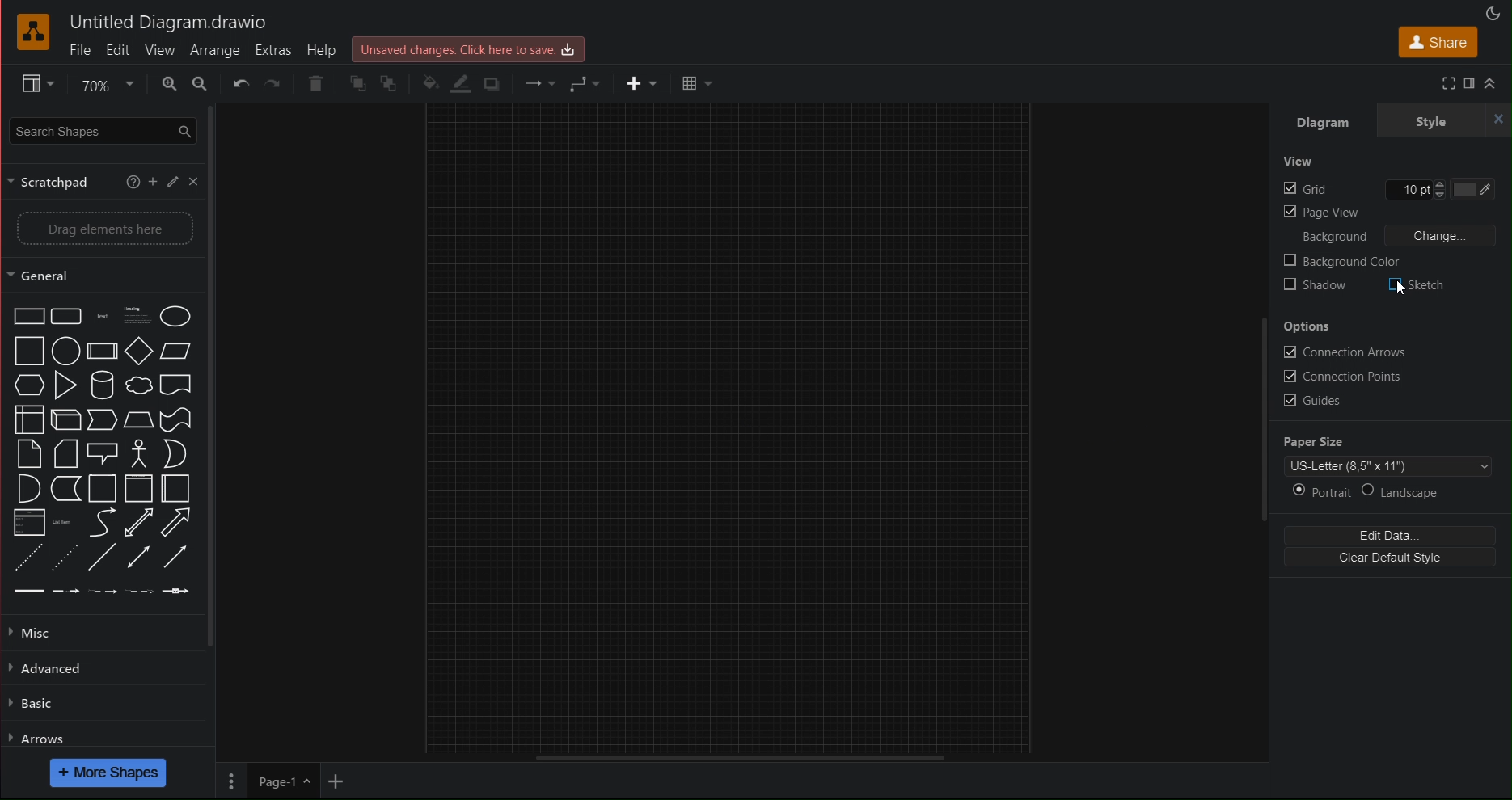 The width and height of the screenshot is (1512, 800). I want to click on Paper Size, so click(1324, 440).